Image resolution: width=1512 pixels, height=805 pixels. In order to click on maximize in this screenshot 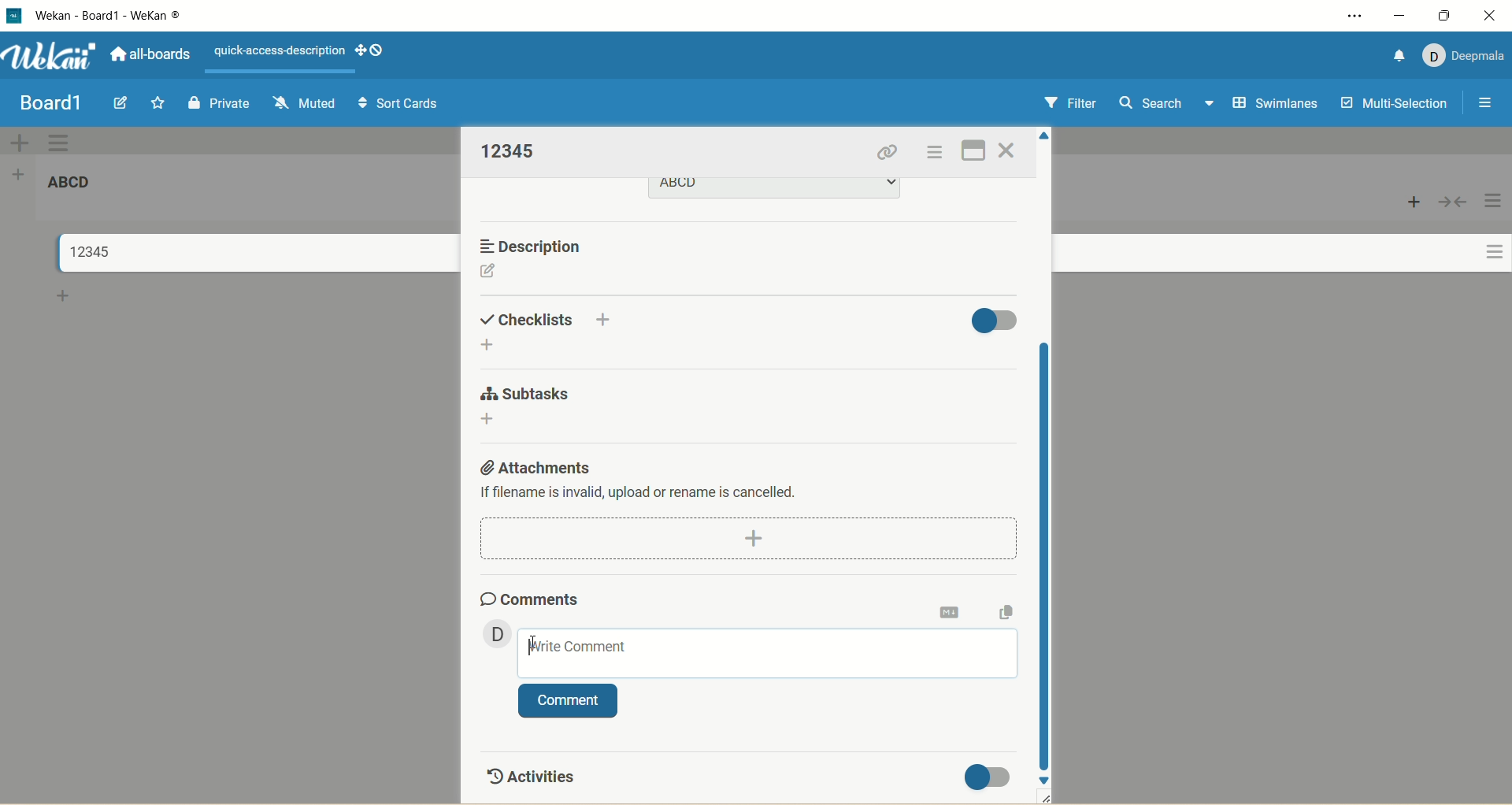, I will do `click(1447, 15)`.